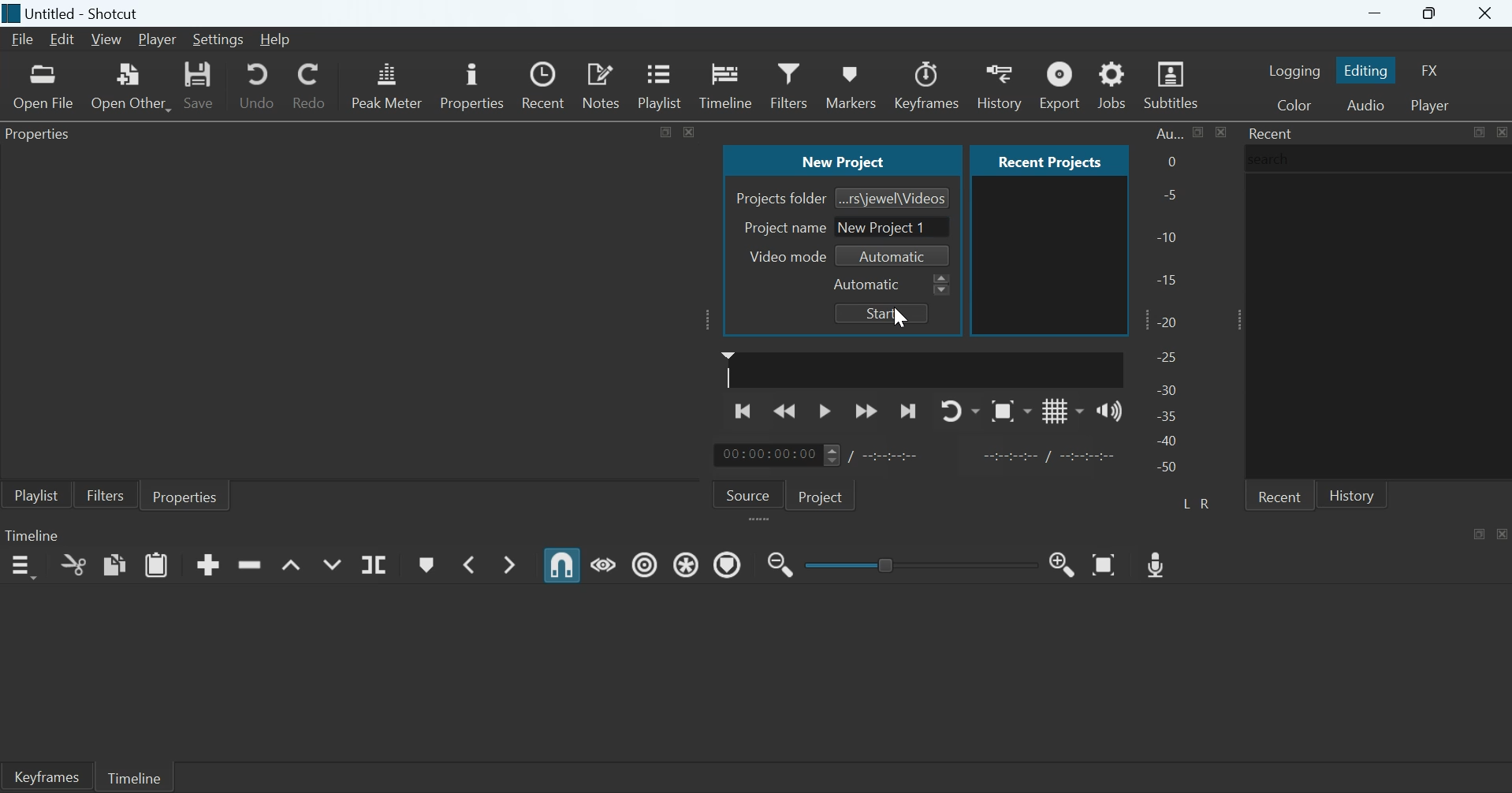 The width and height of the screenshot is (1512, 793). What do you see at coordinates (562, 565) in the screenshot?
I see `Snap` at bounding box center [562, 565].